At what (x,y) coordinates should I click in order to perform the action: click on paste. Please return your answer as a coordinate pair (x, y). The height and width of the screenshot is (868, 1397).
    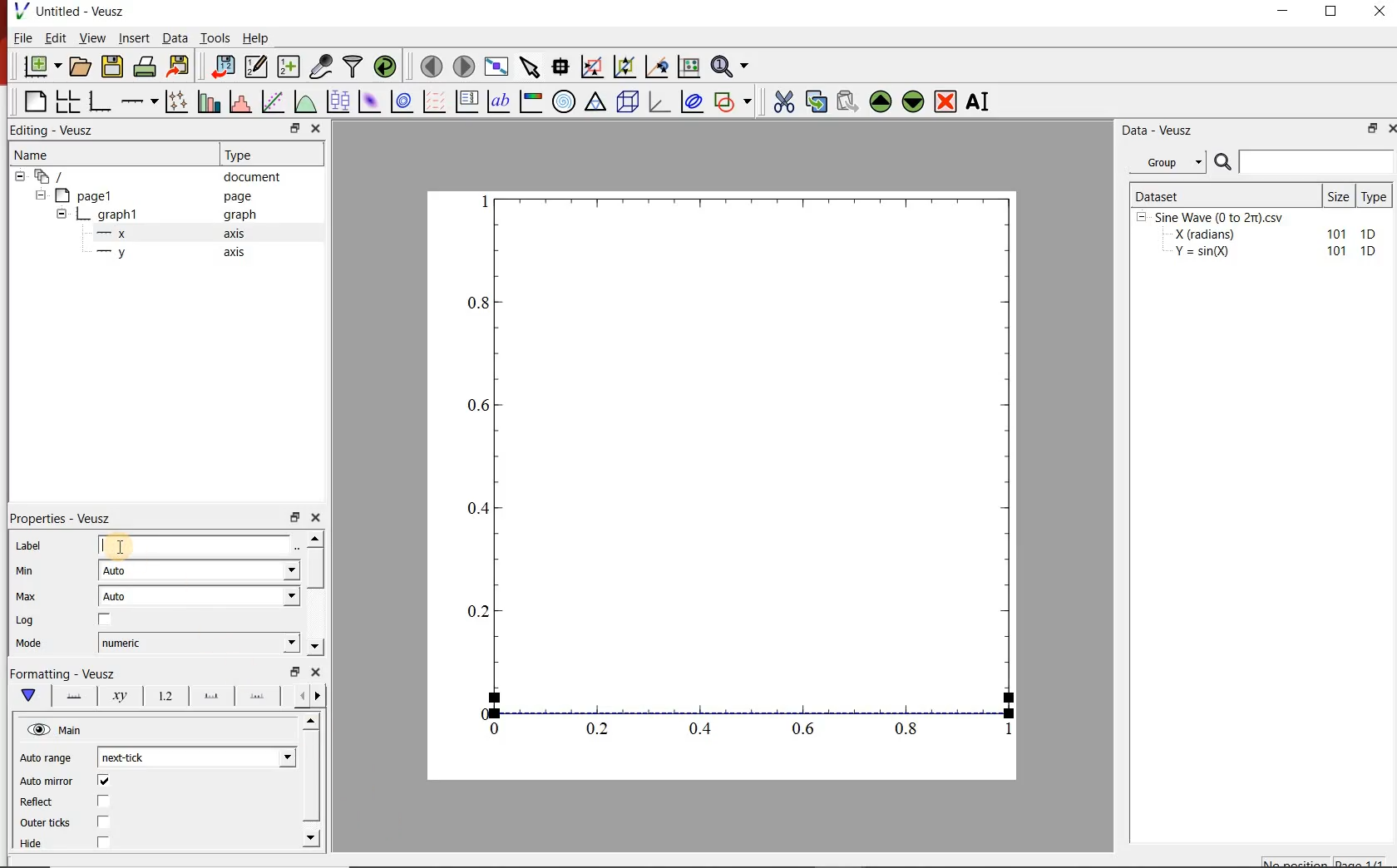
    Looking at the image, I should click on (847, 101).